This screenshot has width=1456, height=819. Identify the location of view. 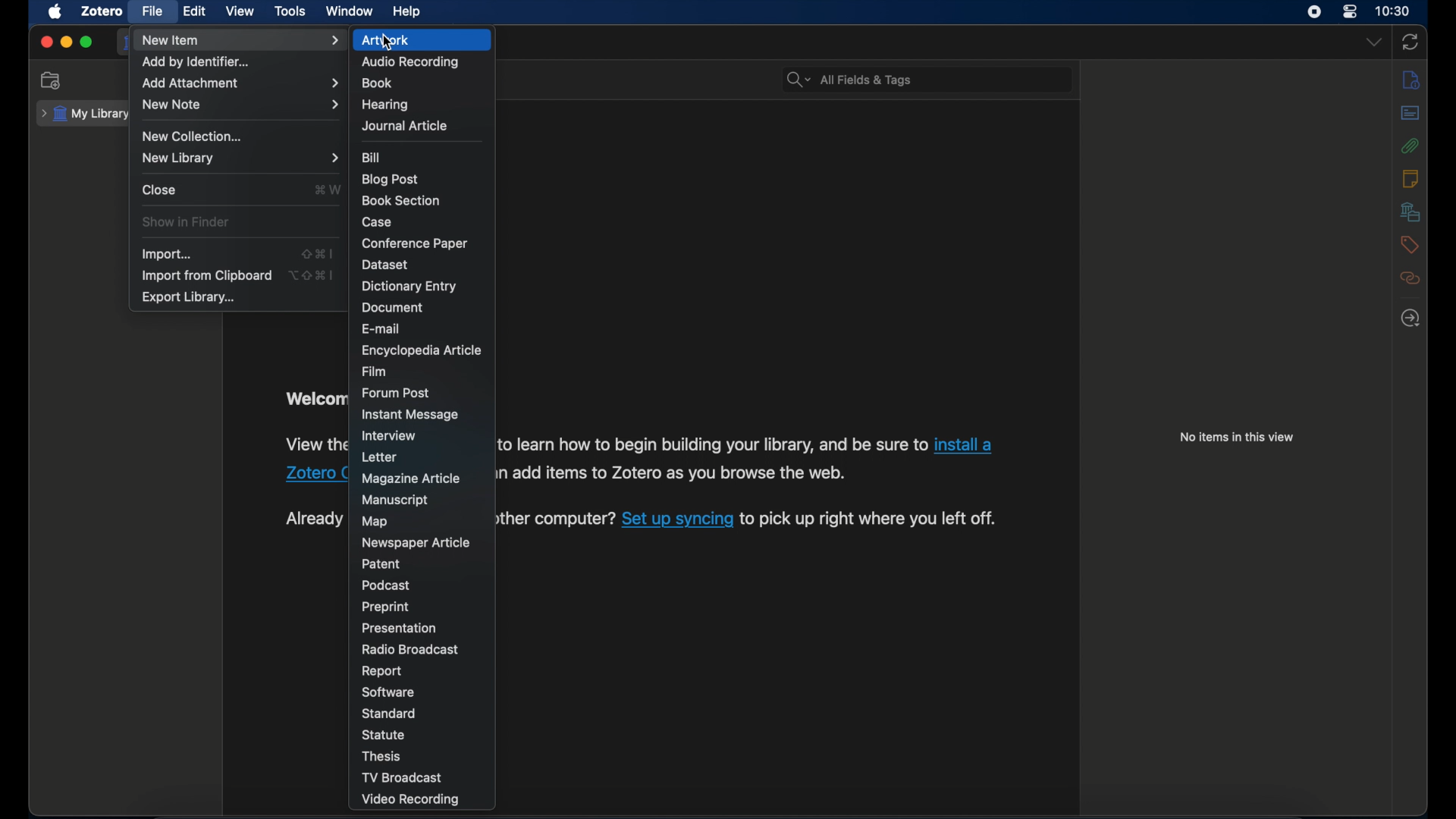
(241, 12).